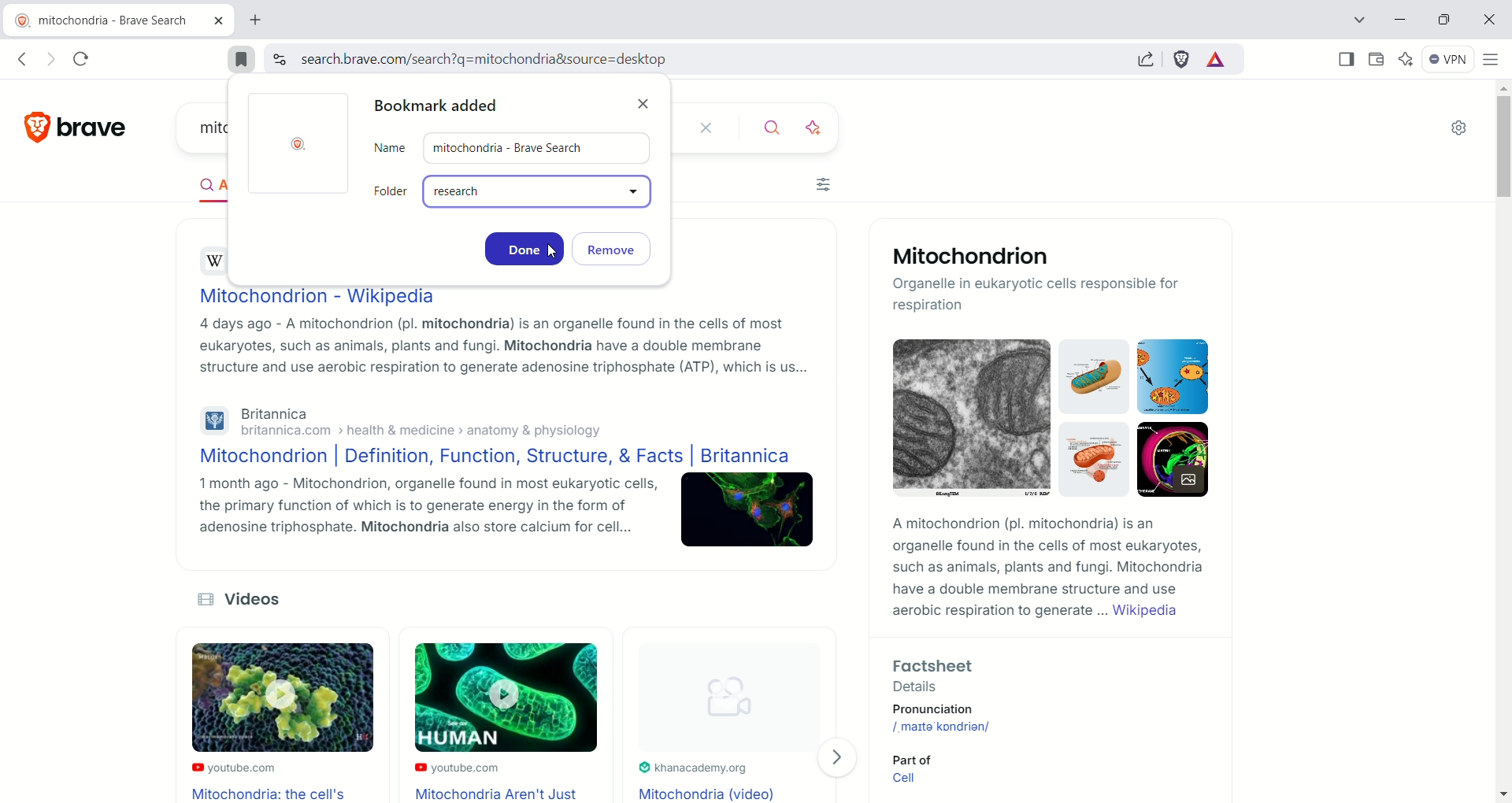  What do you see at coordinates (1503, 439) in the screenshot?
I see `vertical scroll bar` at bounding box center [1503, 439].